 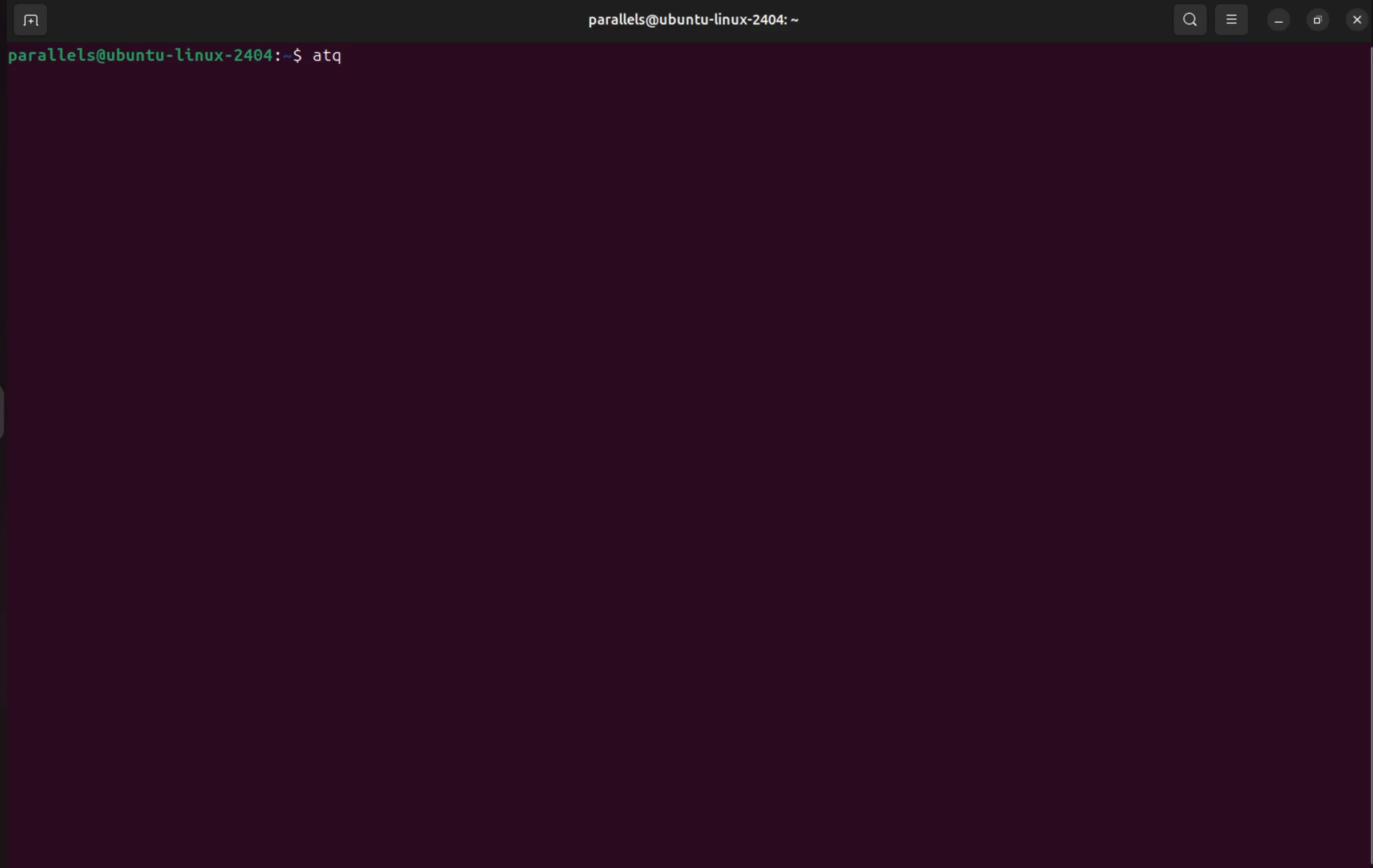 What do you see at coordinates (1276, 22) in the screenshot?
I see `minimize` at bounding box center [1276, 22].